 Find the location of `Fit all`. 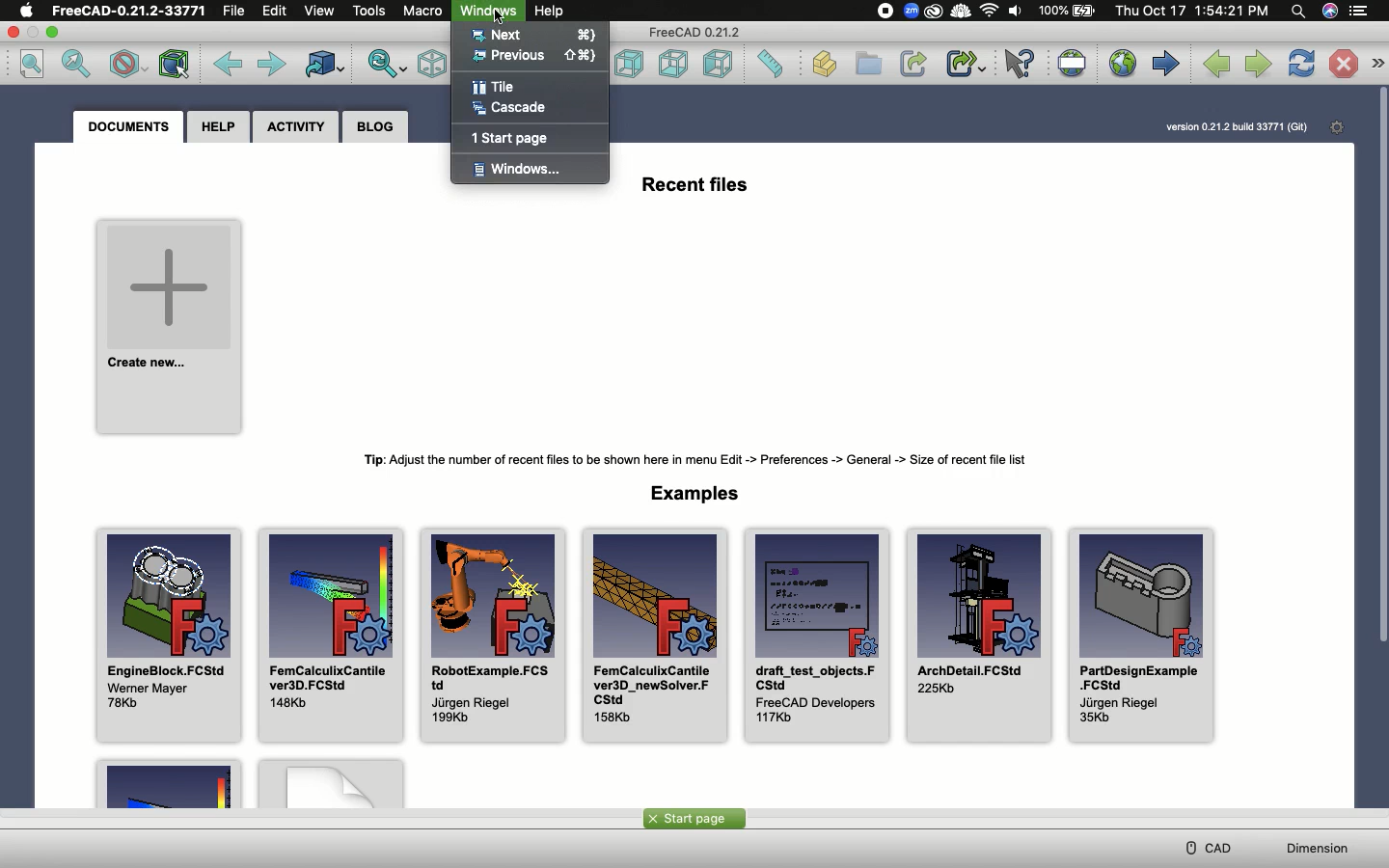

Fit all is located at coordinates (34, 65).